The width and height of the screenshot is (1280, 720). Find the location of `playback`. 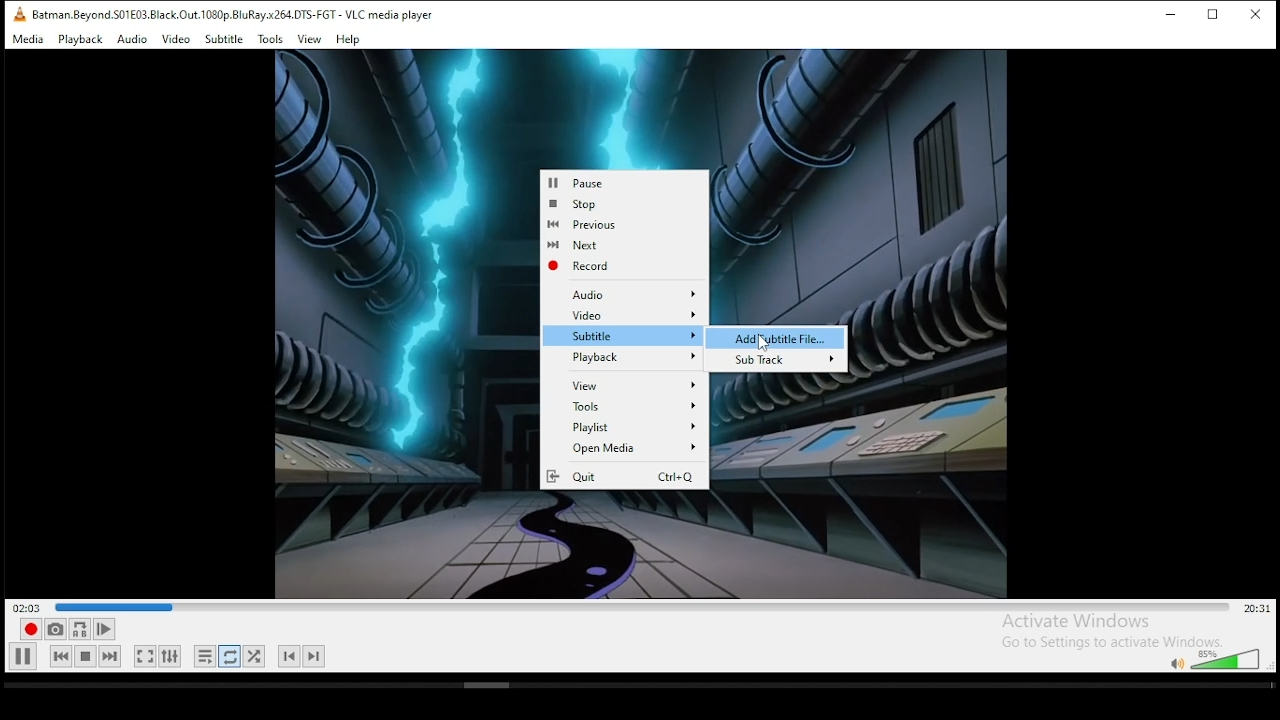

playback is located at coordinates (81, 39).